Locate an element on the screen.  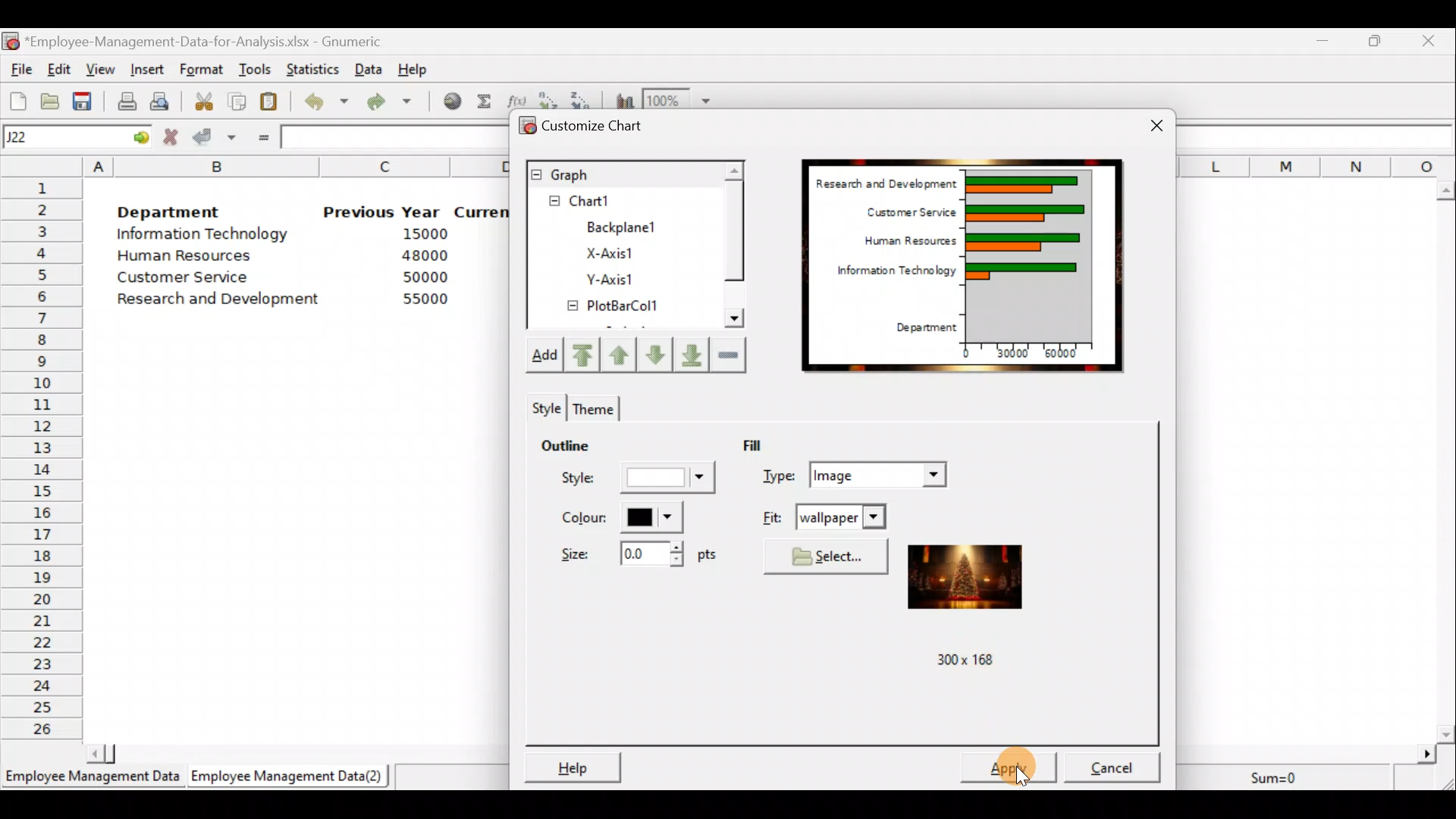
Cell name J22 is located at coordinates (58, 137).